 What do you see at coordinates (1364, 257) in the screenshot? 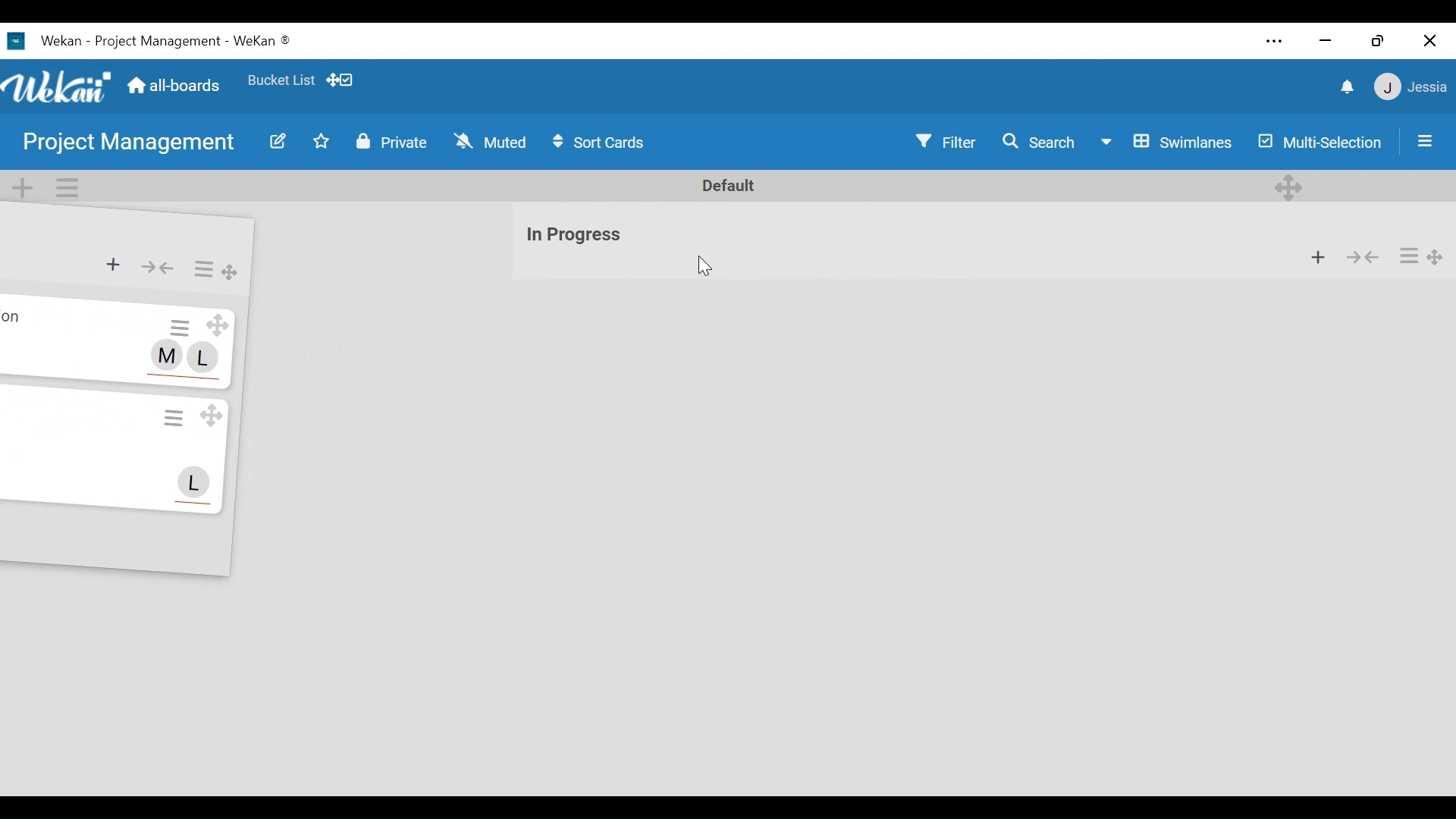
I see `Collapse` at bounding box center [1364, 257].